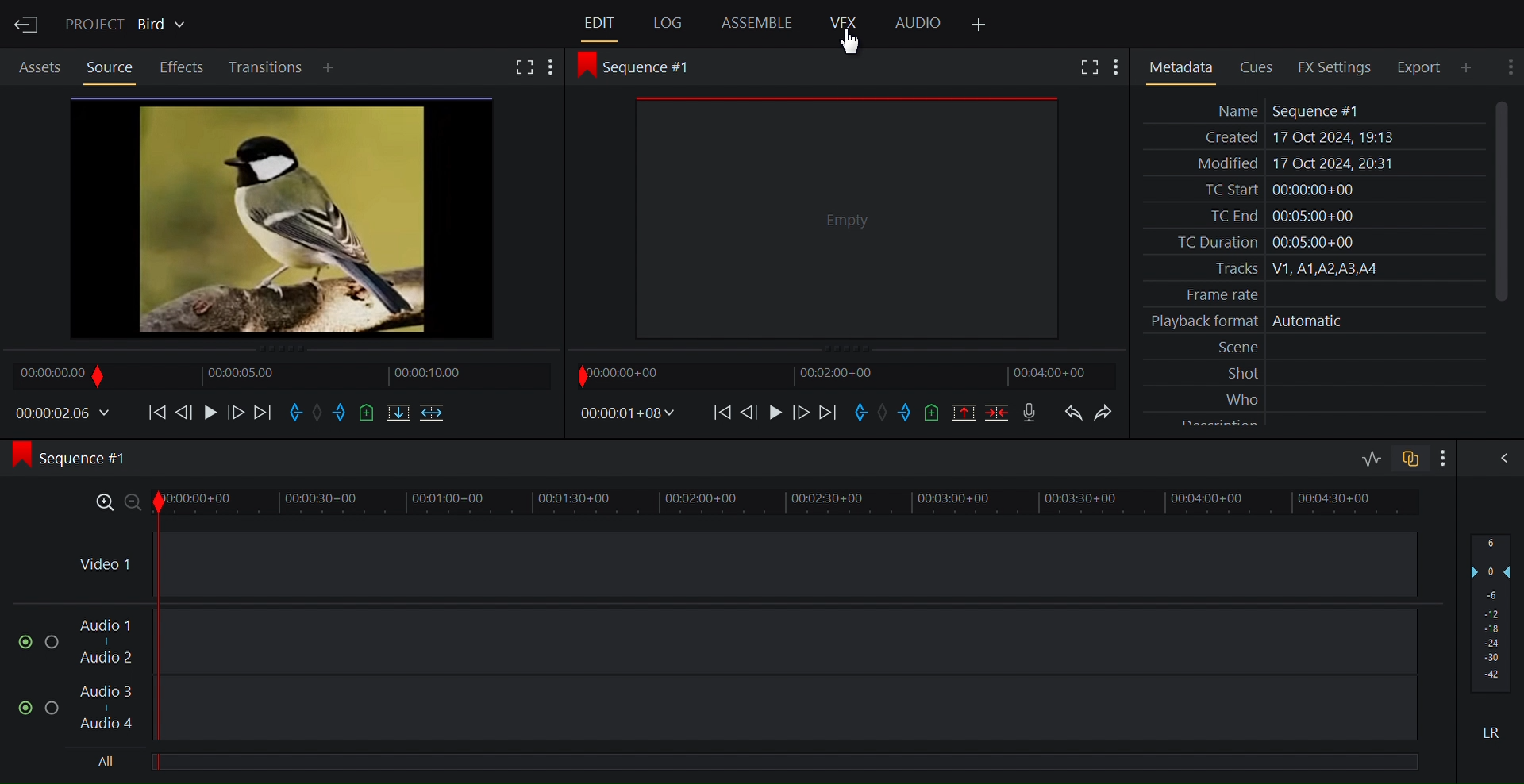 Image resolution: width=1524 pixels, height=784 pixels. I want to click on Mark out, so click(341, 414).